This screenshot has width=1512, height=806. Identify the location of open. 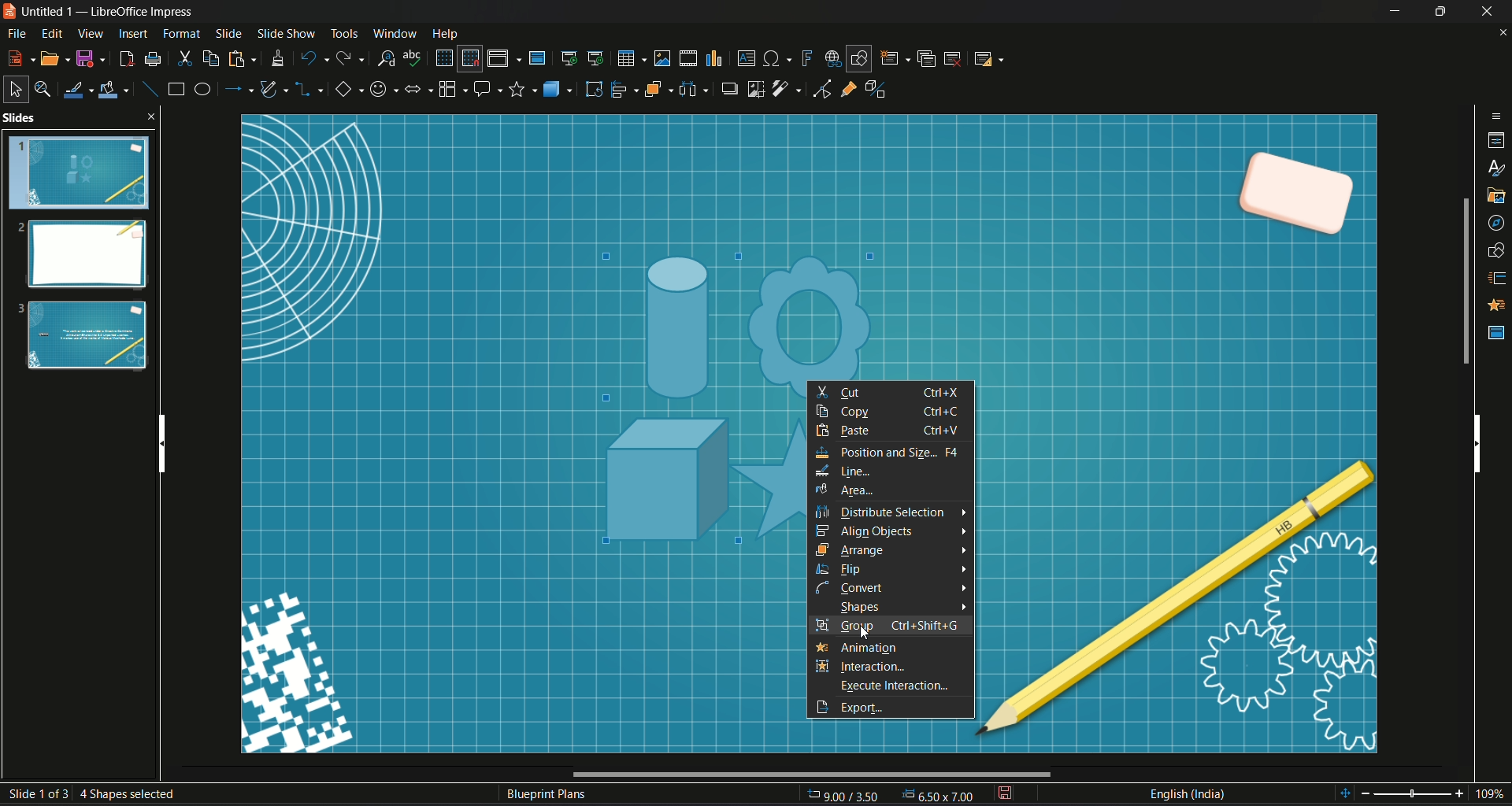
(56, 58).